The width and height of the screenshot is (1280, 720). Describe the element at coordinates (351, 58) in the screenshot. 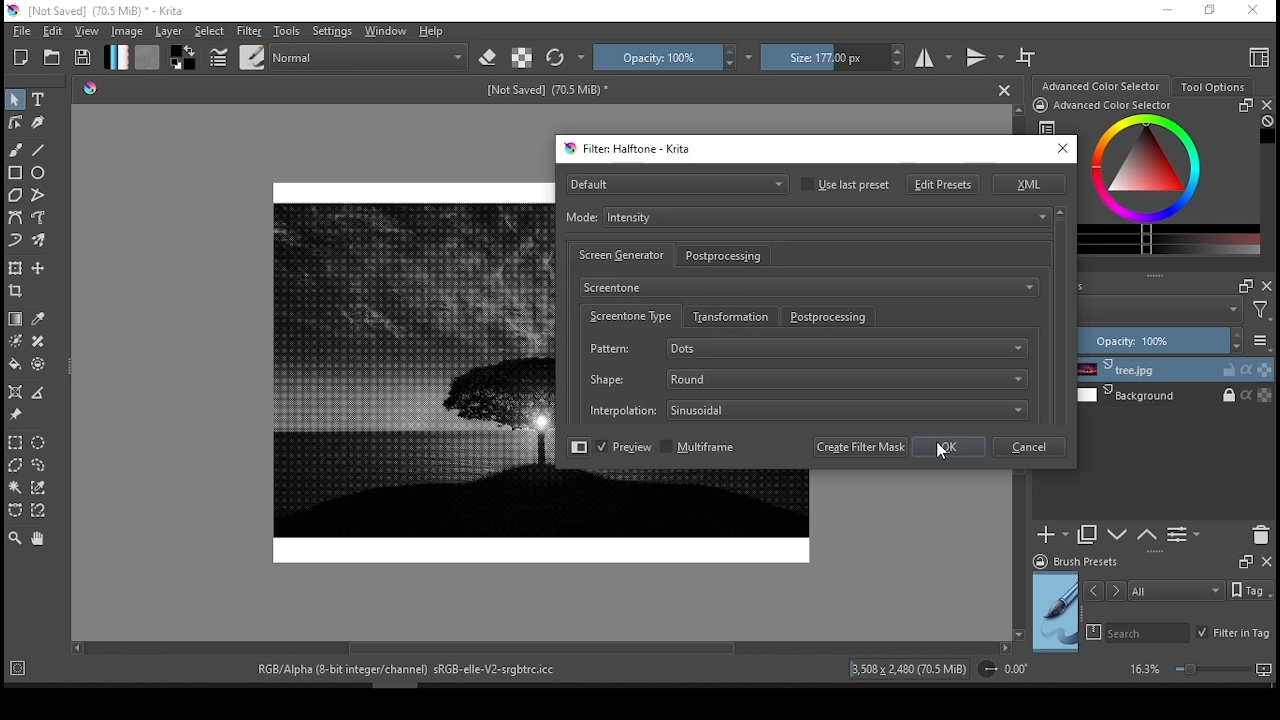

I see `Blend Mode` at that location.